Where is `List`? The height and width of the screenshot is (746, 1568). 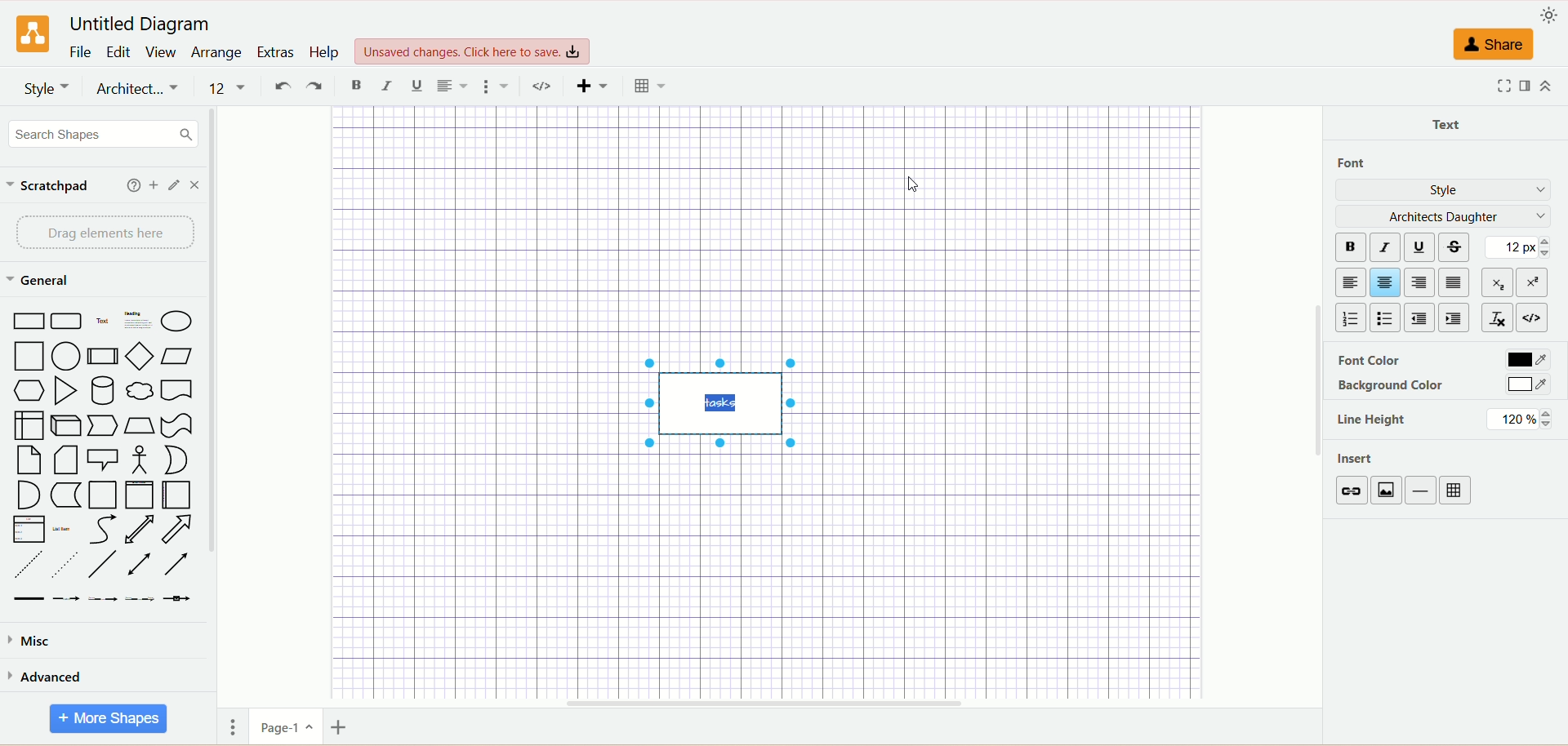 List is located at coordinates (29, 531).